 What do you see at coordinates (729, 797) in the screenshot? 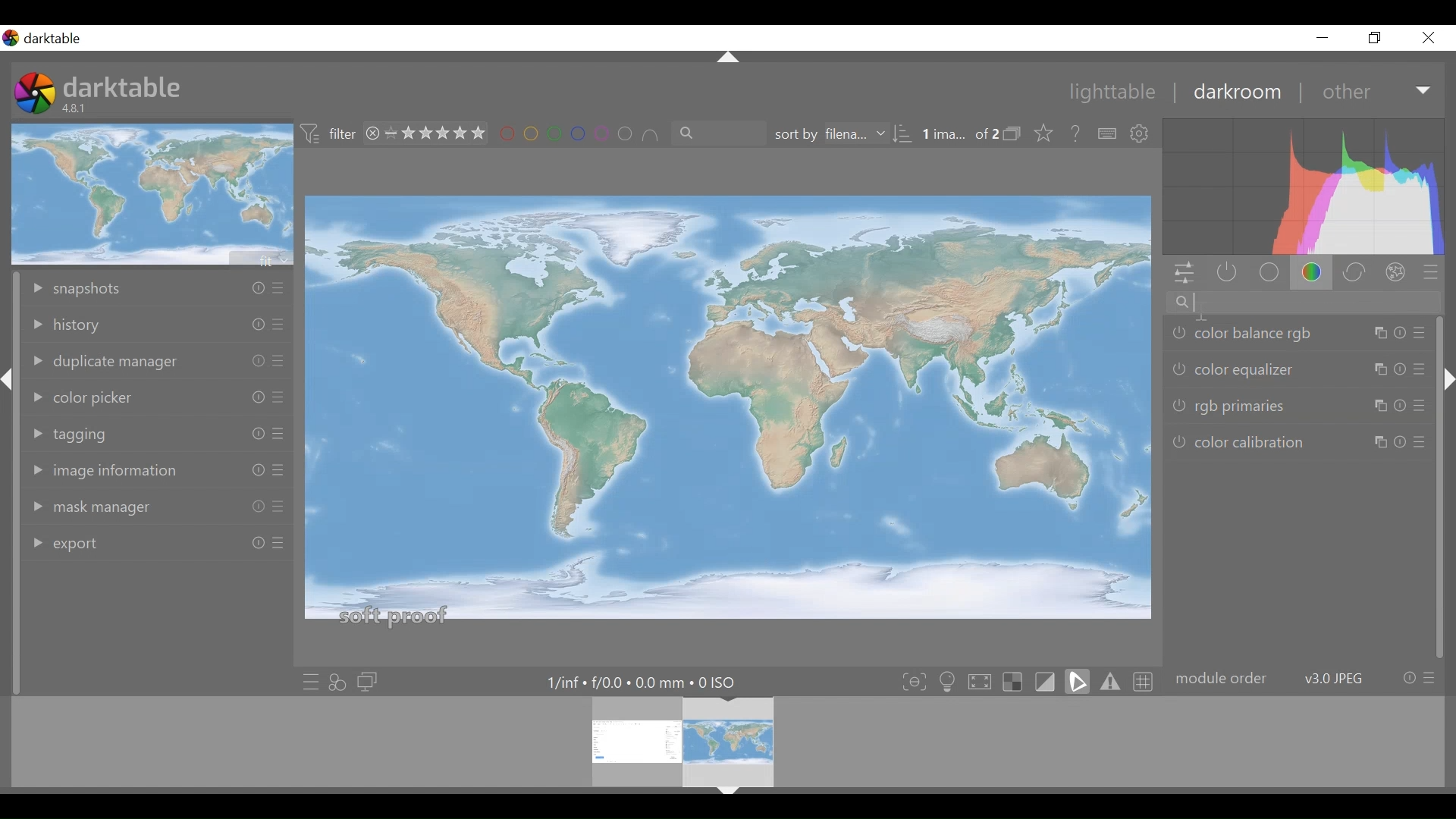
I see `` at bounding box center [729, 797].